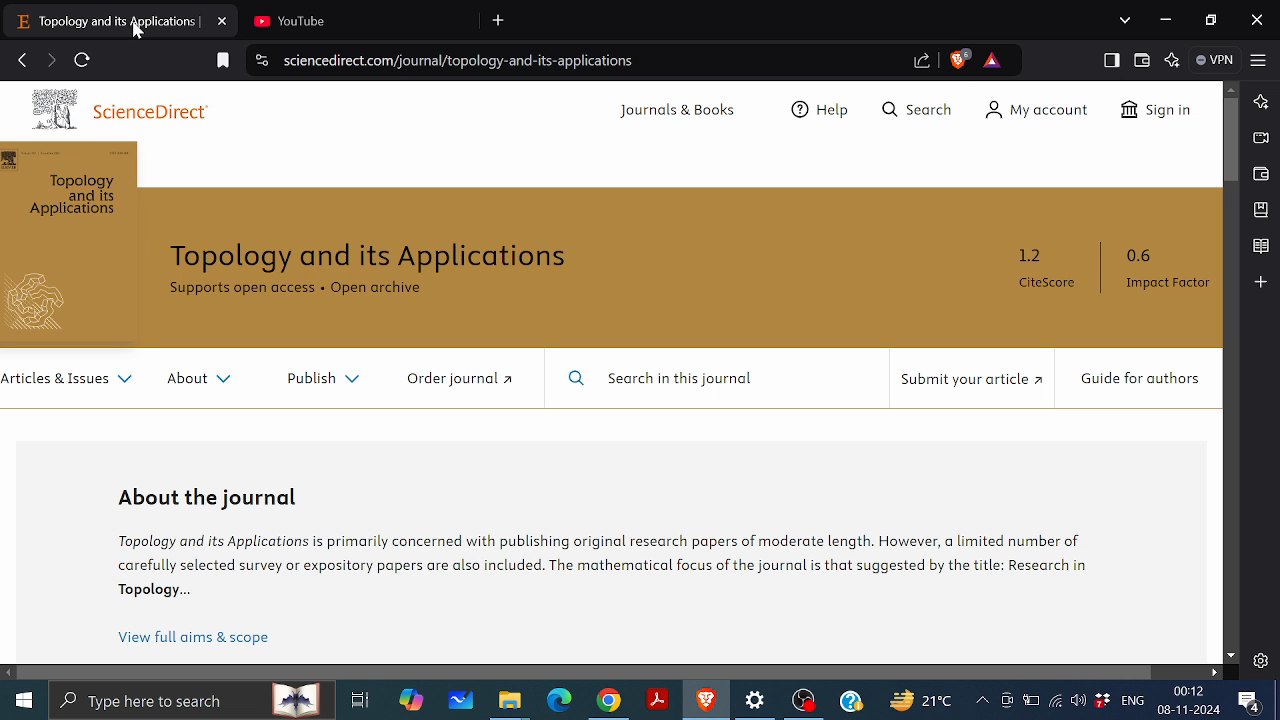  Describe the element at coordinates (1133, 699) in the screenshot. I see `Language` at that location.